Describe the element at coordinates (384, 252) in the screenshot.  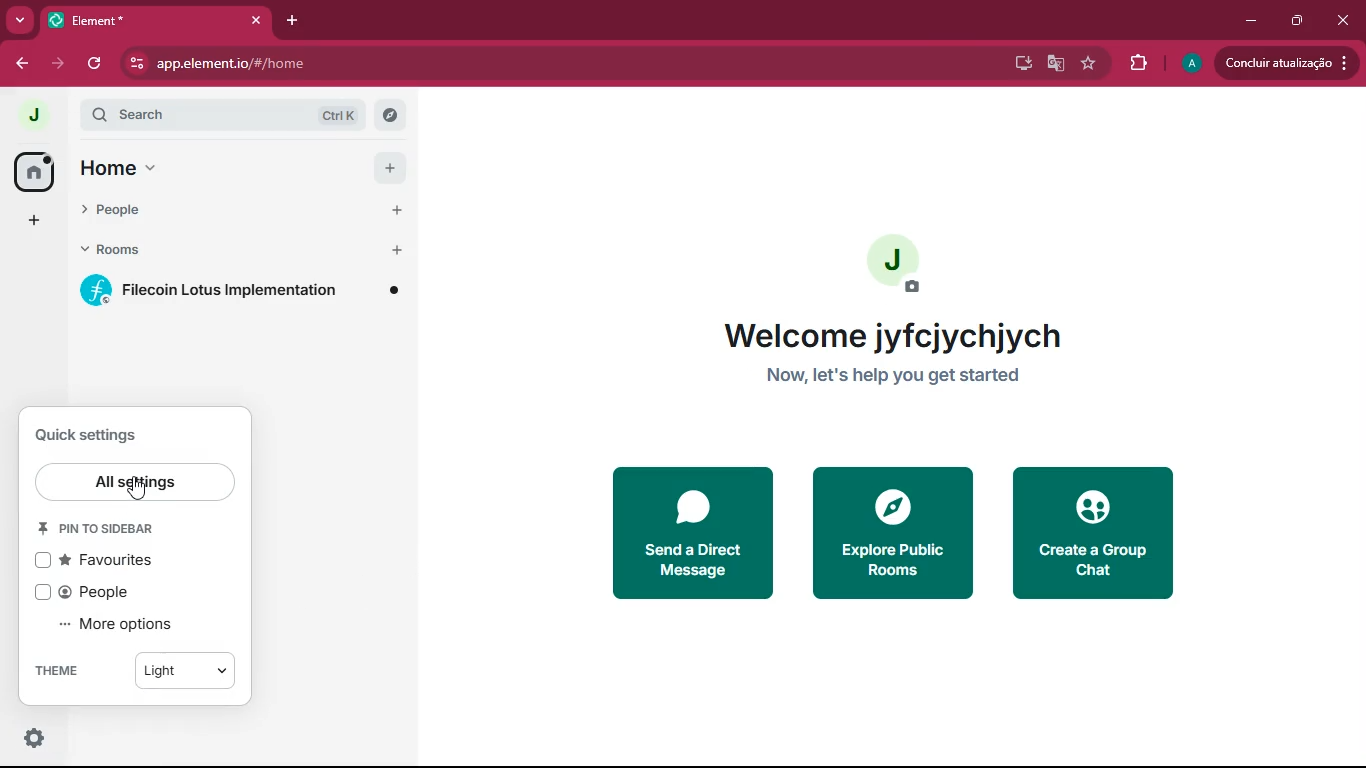
I see `add` at that location.